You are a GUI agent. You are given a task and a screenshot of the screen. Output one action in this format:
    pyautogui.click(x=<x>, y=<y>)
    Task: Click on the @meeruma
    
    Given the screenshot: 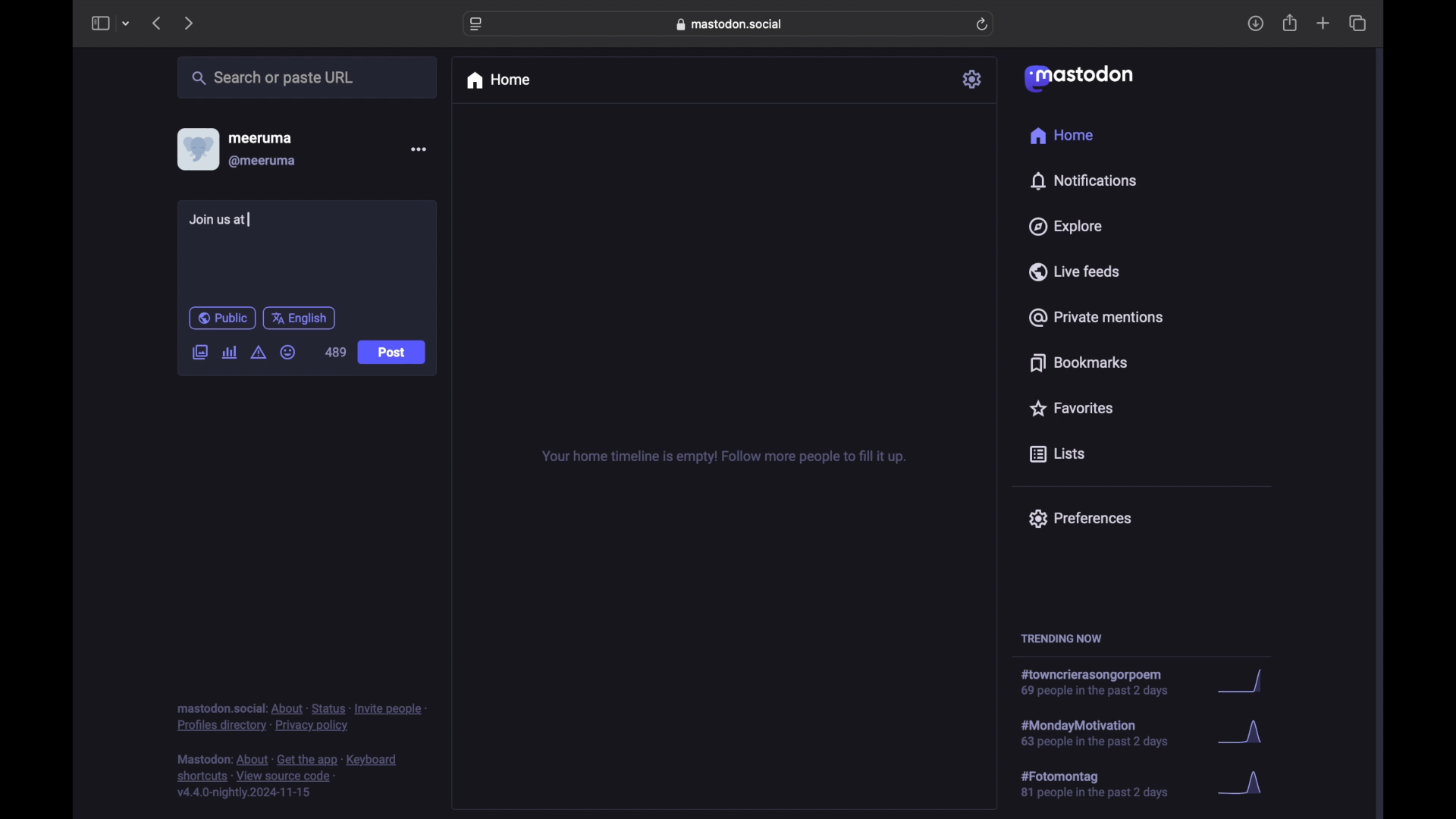 What is the action you would take?
    pyautogui.click(x=262, y=162)
    